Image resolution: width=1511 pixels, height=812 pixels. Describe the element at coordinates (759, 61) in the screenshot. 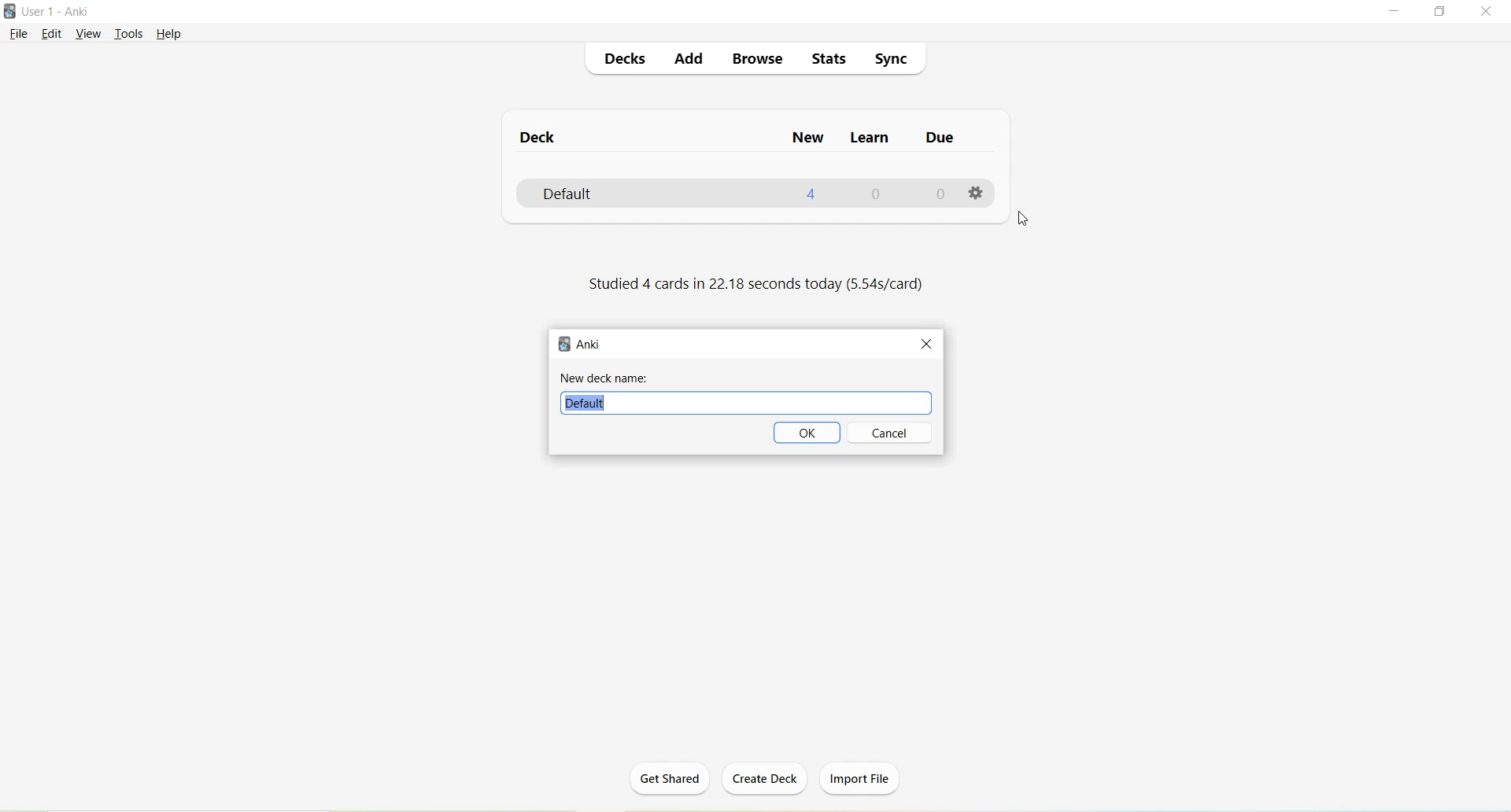

I see `Browse` at that location.